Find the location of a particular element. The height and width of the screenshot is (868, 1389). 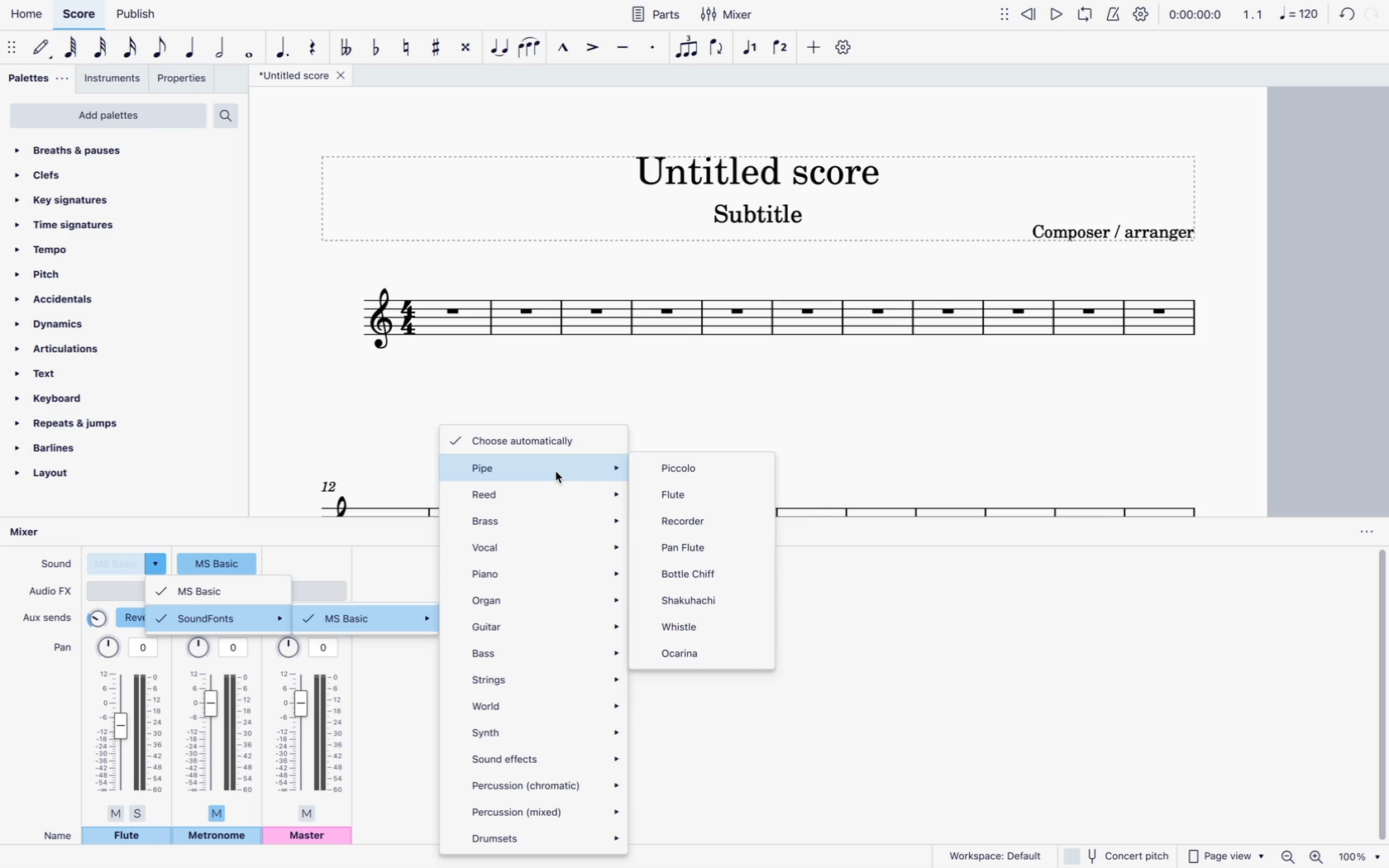

pan is located at coordinates (129, 728).